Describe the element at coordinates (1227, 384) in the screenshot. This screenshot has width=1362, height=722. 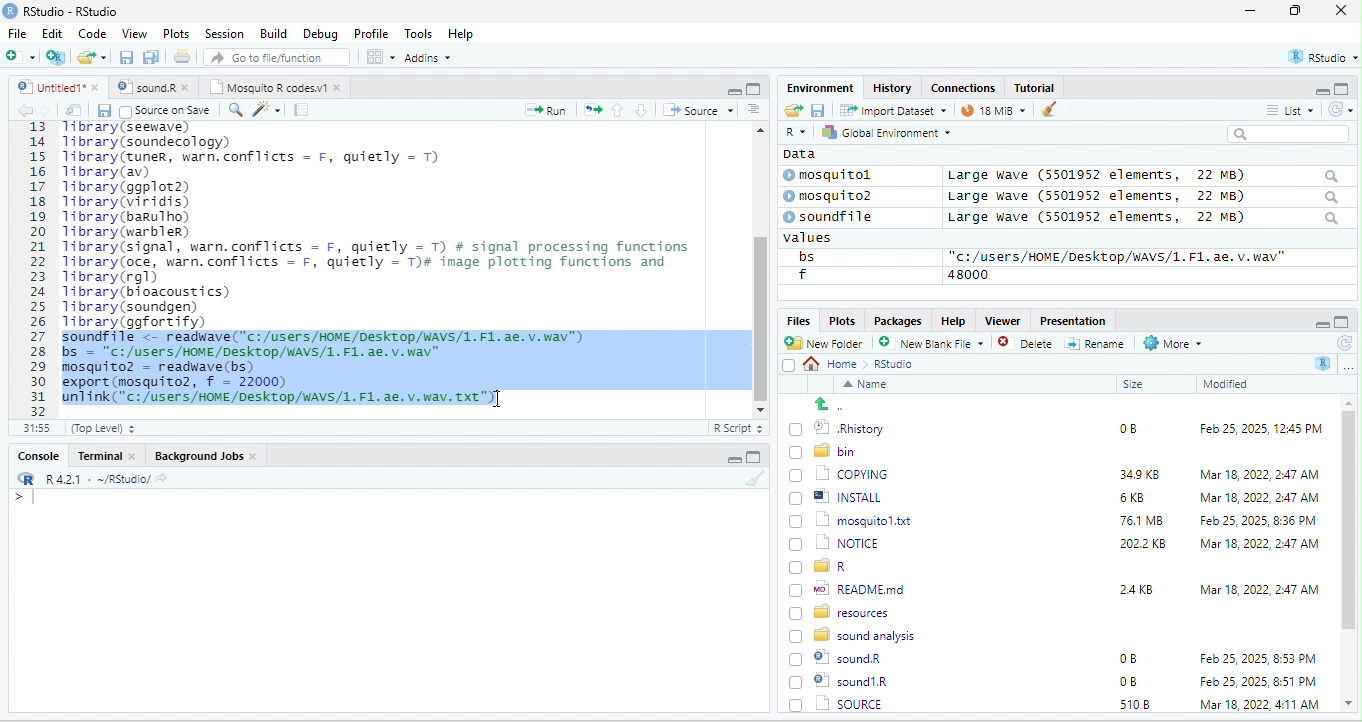
I see `Modified` at that location.